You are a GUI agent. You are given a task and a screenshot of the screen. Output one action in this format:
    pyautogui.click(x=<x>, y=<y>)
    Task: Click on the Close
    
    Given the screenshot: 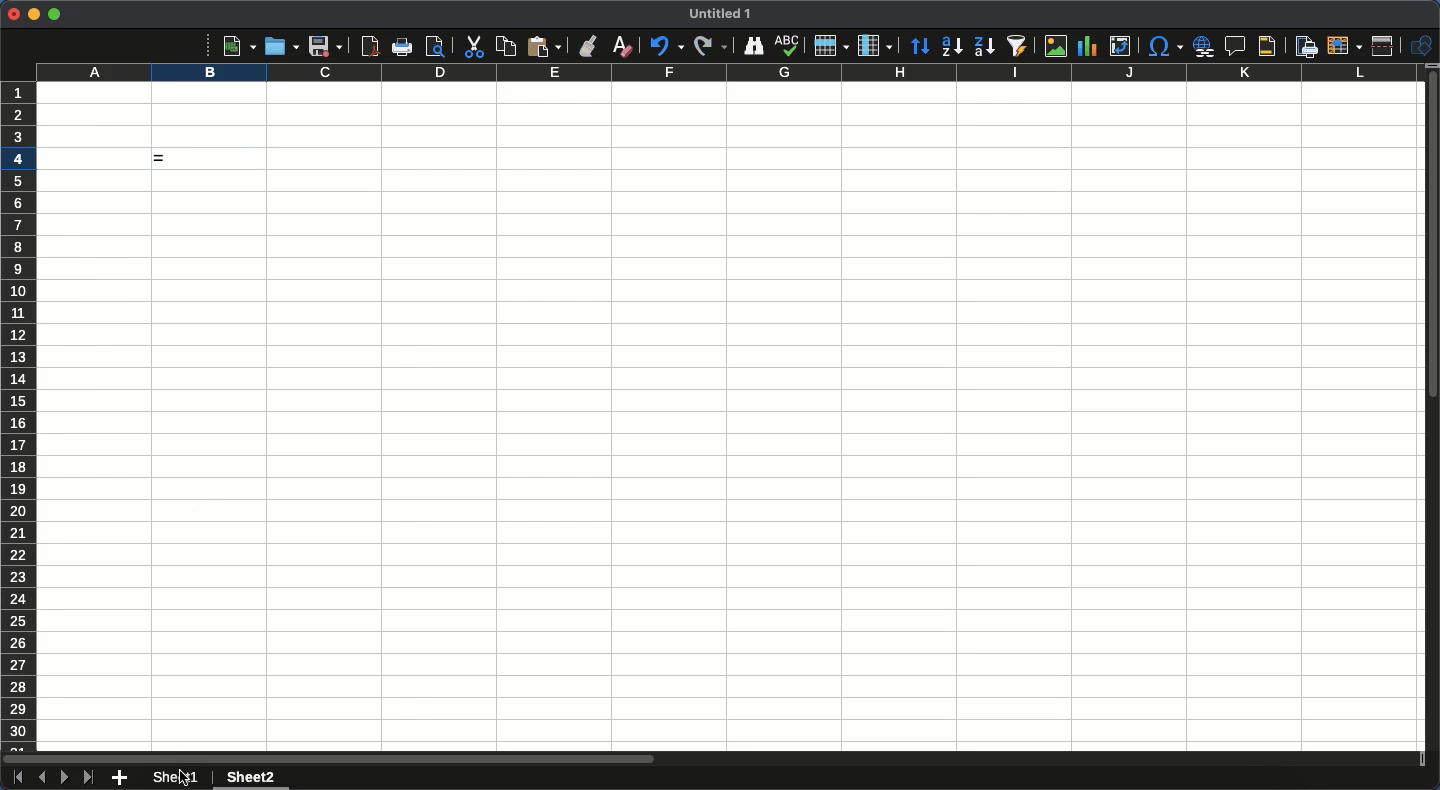 What is the action you would take?
    pyautogui.click(x=13, y=14)
    